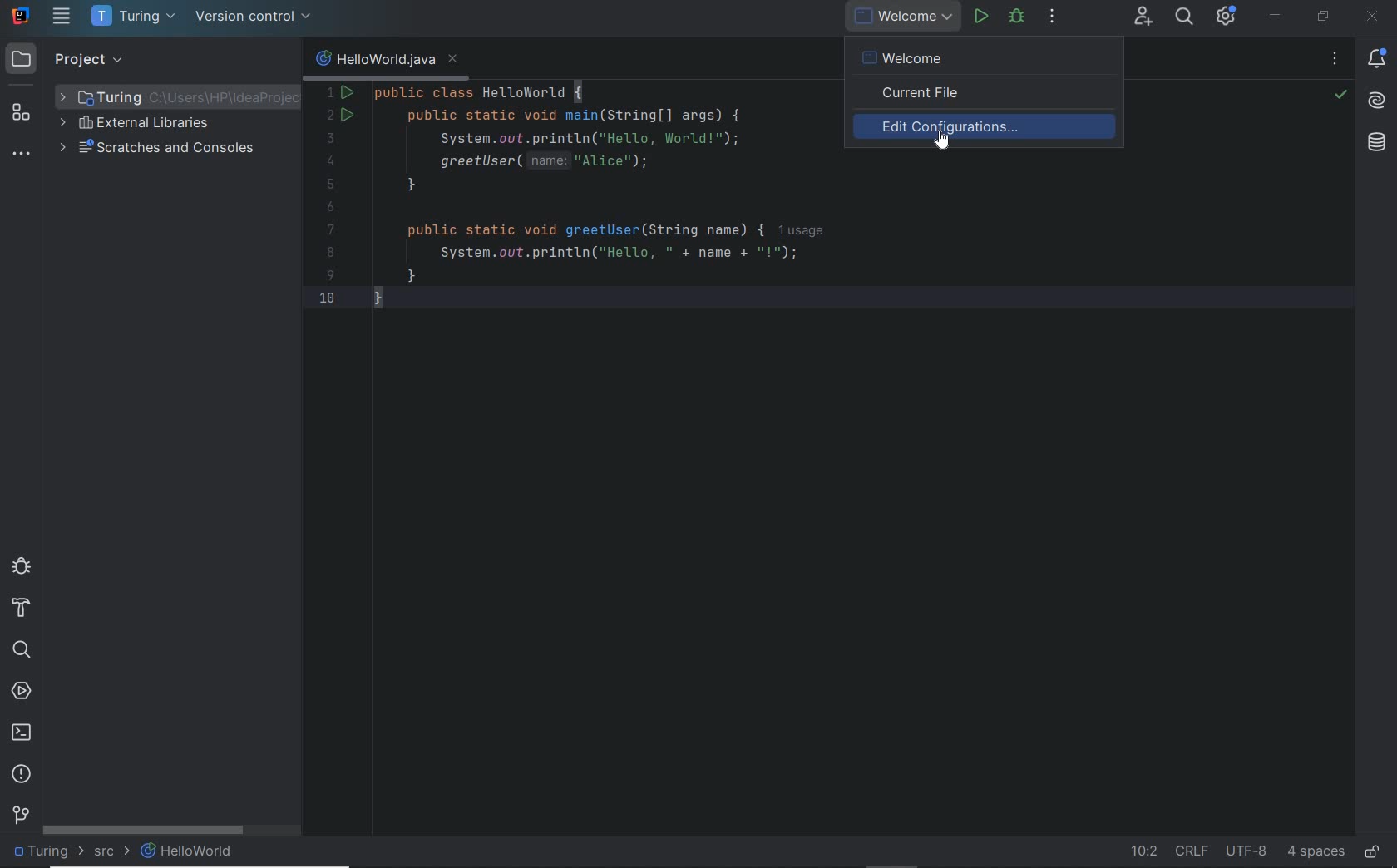 This screenshot has height=868, width=1397. Describe the element at coordinates (22, 732) in the screenshot. I see `terminal` at that location.